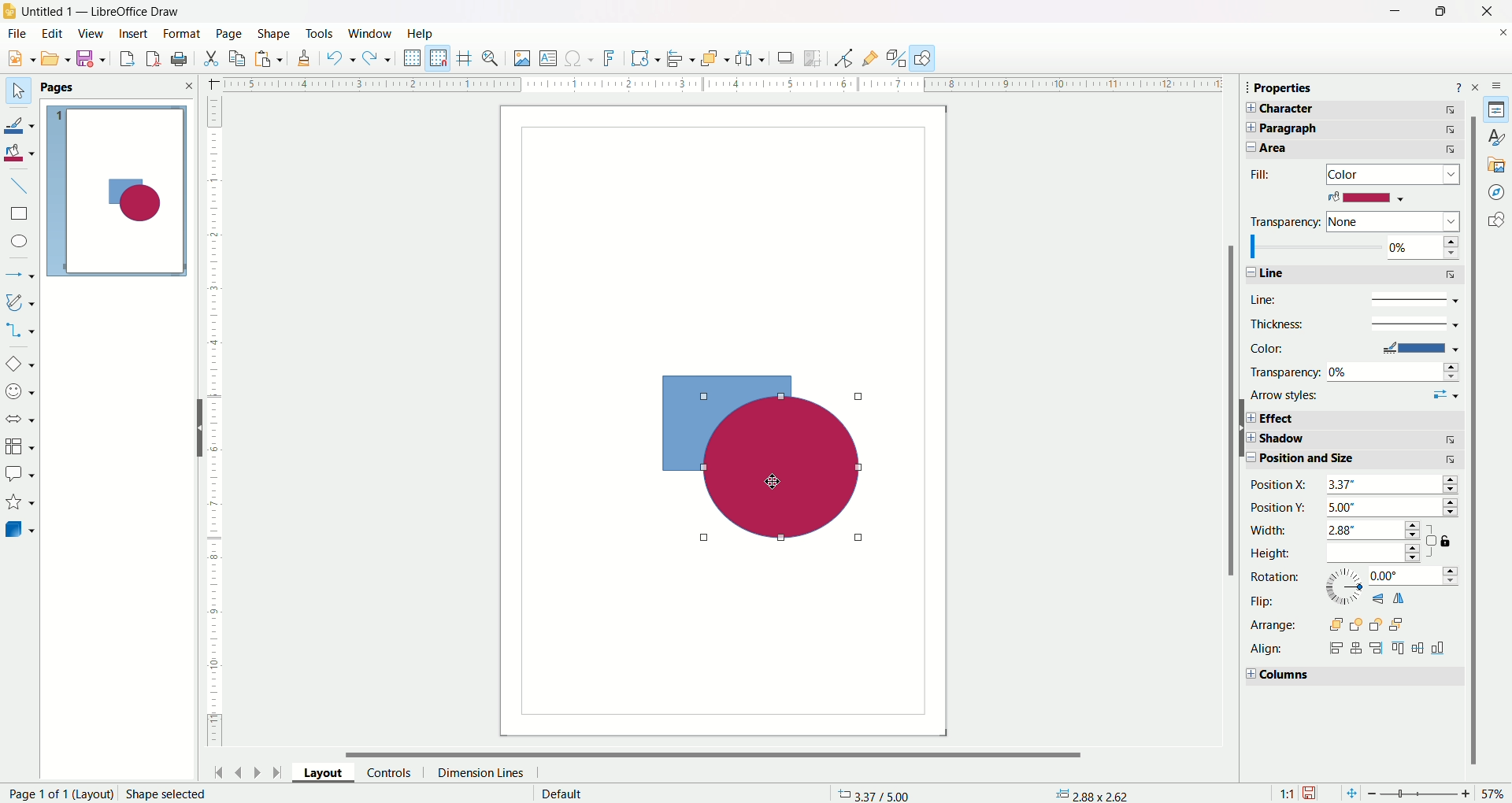 Image resolution: width=1512 pixels, height=803 pixels. I want to click on draw function, so click(925, 57).